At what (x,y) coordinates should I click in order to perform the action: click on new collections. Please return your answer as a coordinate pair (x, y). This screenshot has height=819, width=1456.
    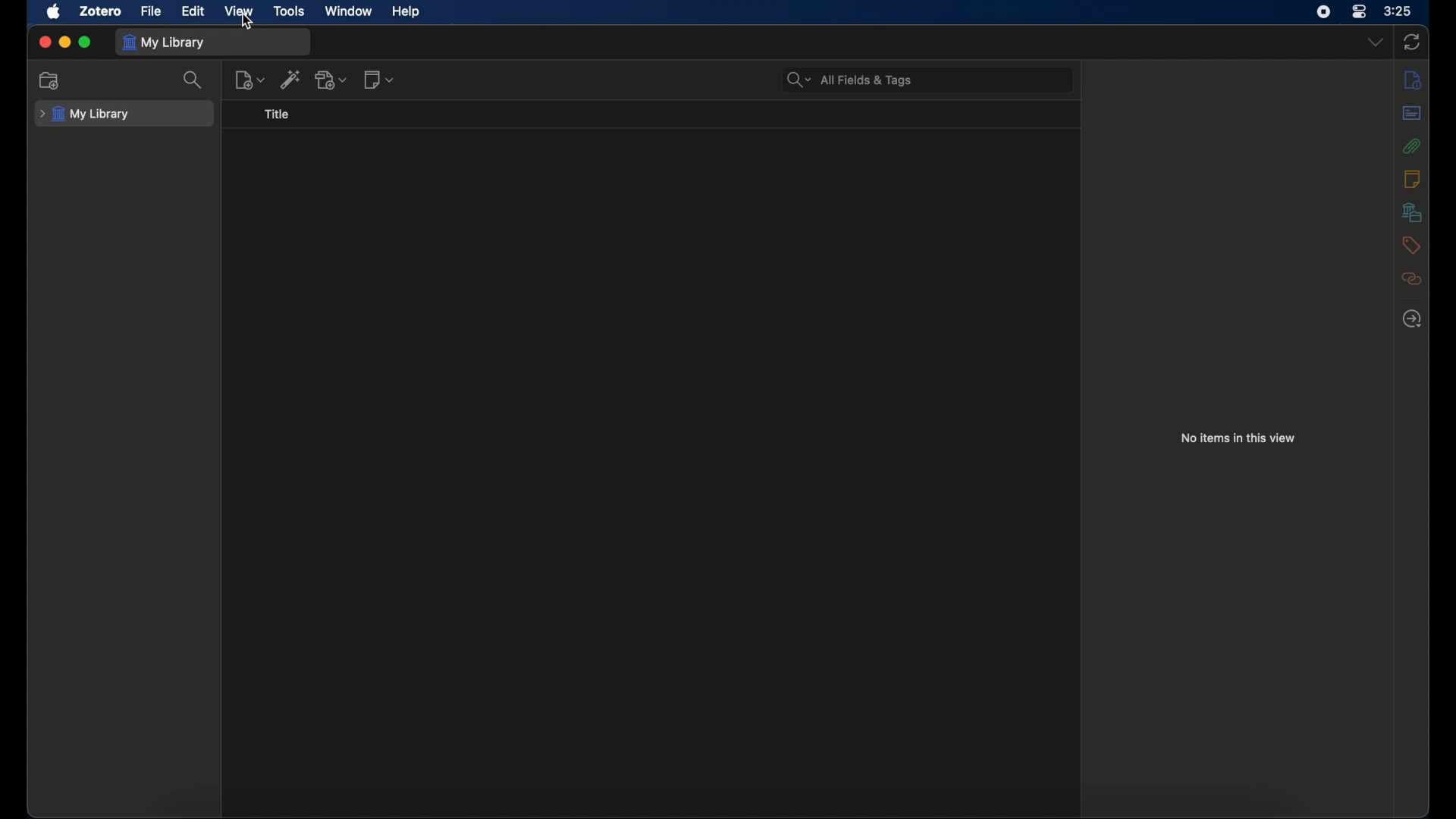
    Looking at the image, I should click on (49, 80).